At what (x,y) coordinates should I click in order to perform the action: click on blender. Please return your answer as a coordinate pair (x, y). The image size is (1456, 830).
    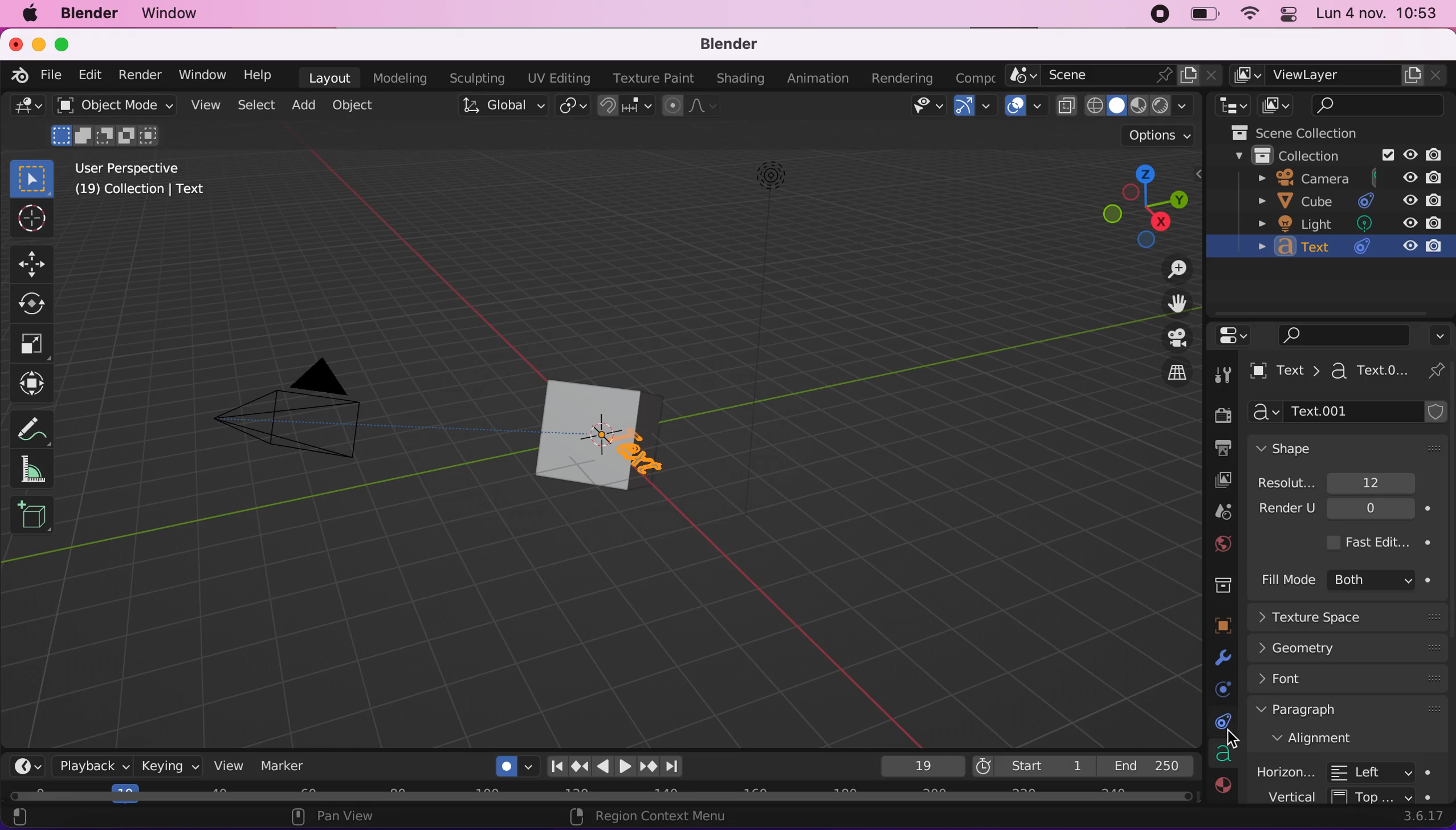
    Looking at the image, I should click on (96, 15).